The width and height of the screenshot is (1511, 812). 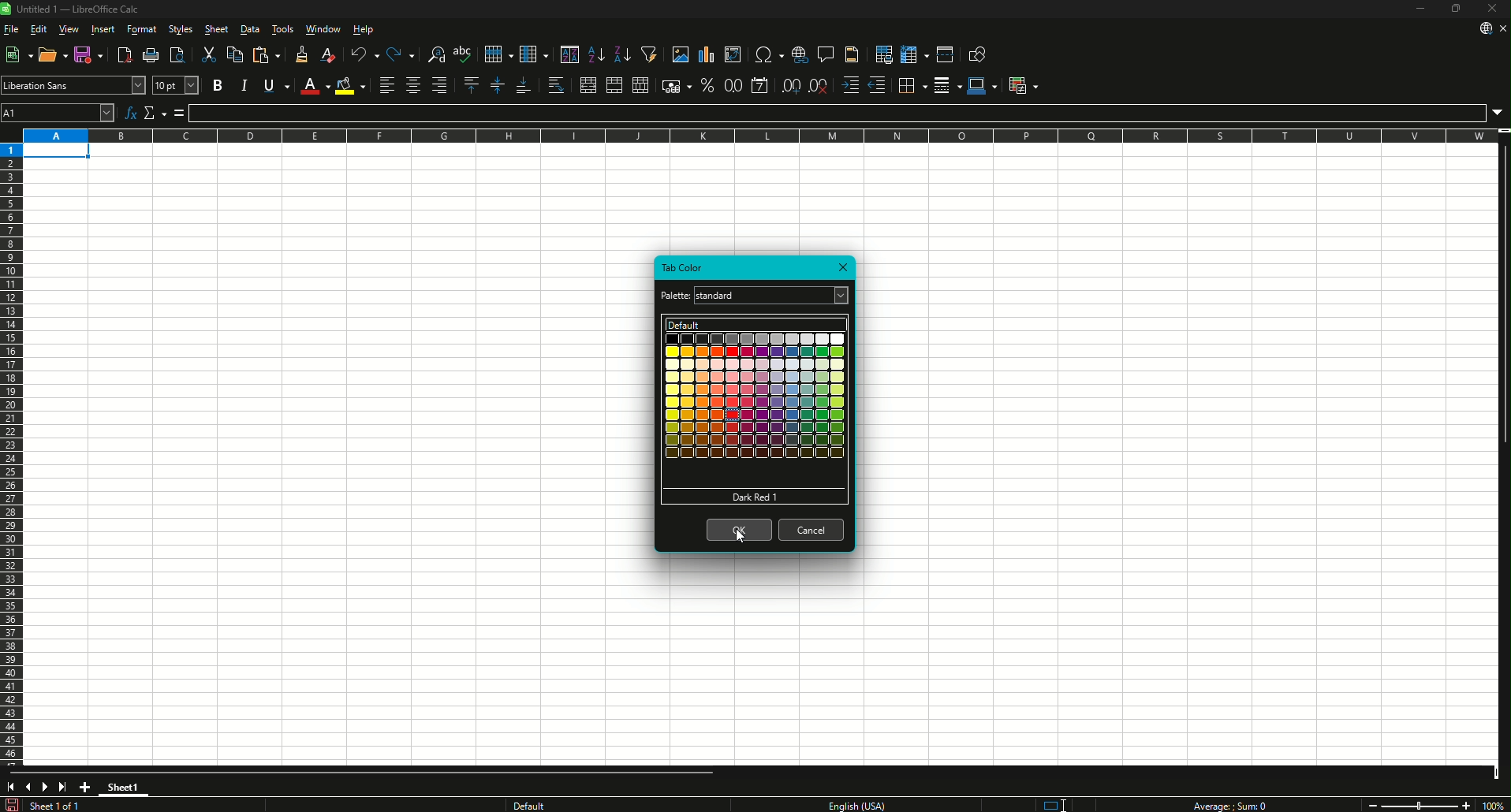 I want to click on Background Color, so click(x=350, y=85).